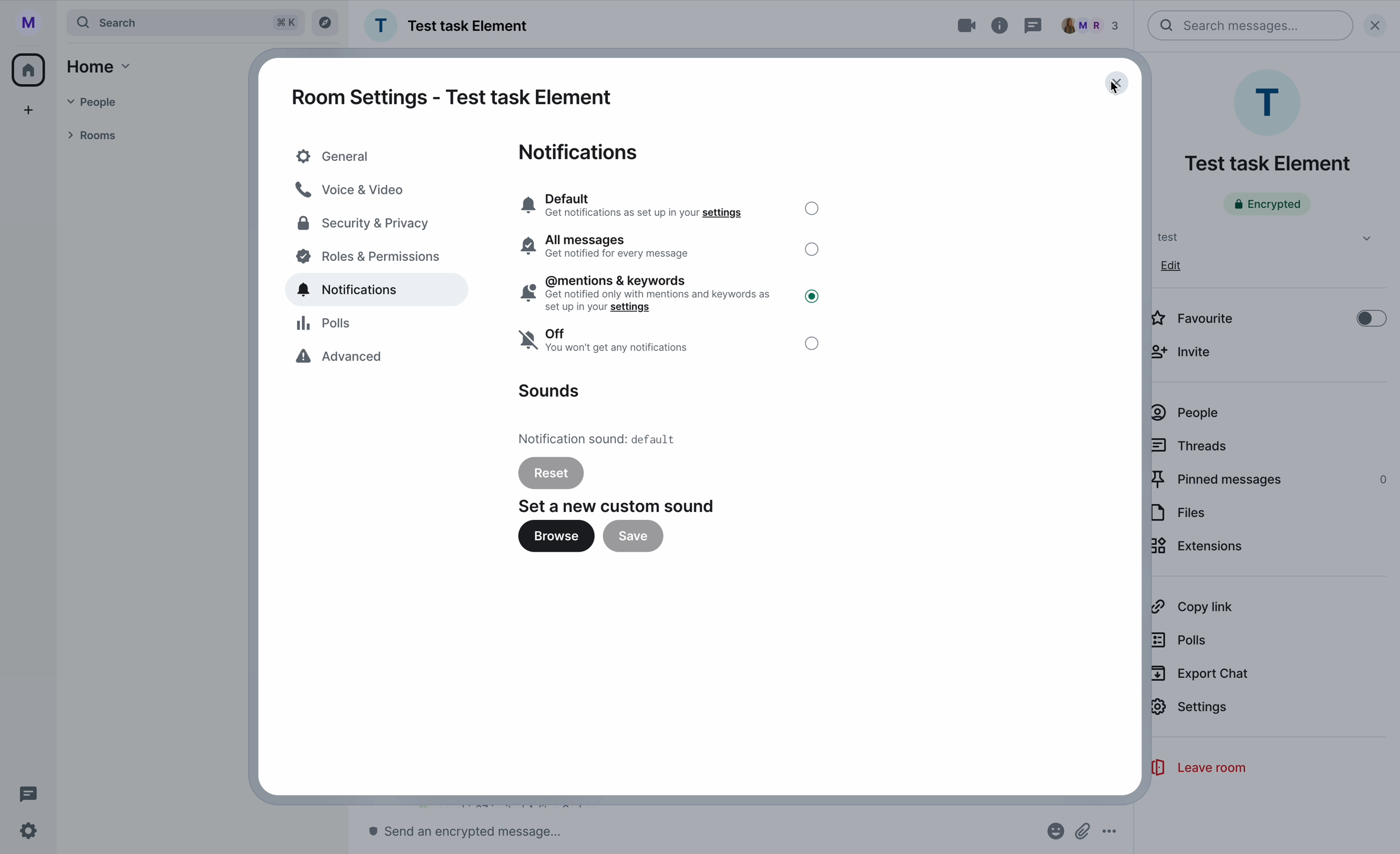  What do you see at coordinates (670, 247) in the screenshot?
I see `all messages` at bounding box center [670, 247].